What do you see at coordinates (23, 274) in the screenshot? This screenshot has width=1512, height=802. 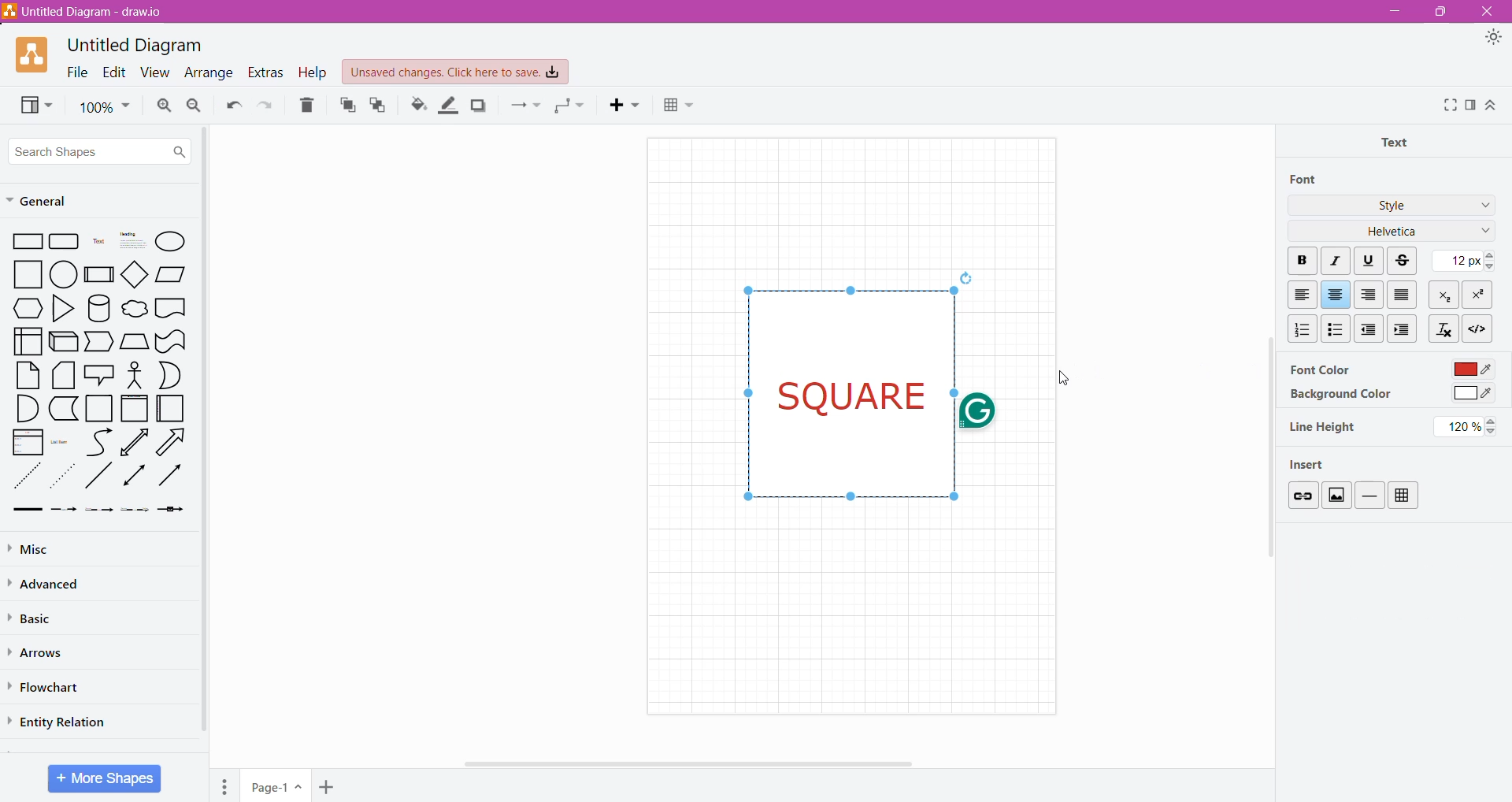 I see `square` at bounding box center [23, 274].